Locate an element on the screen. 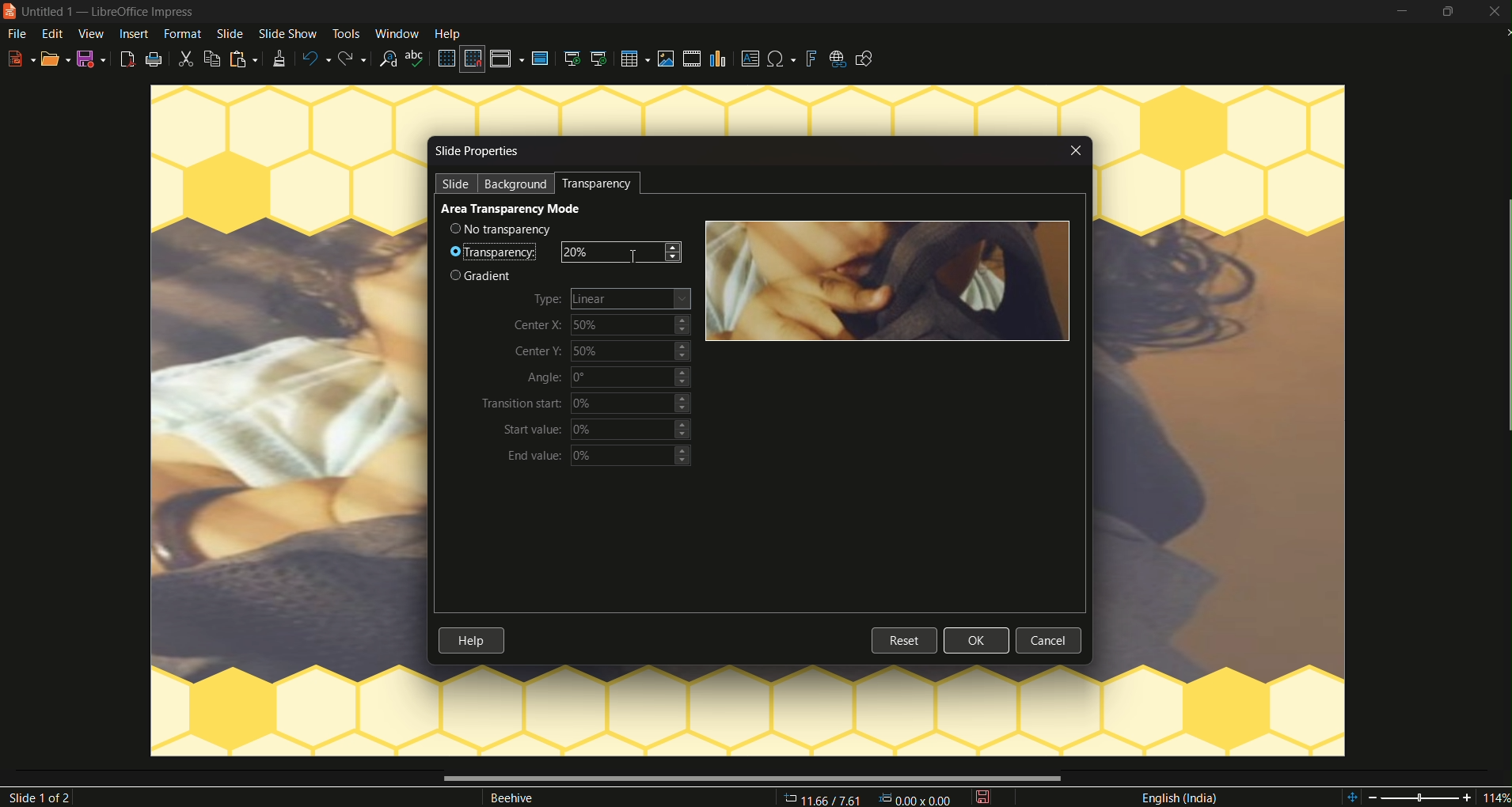 Image resolution: width=1512 pixels, height=807 pixels. edit is located at coordinates (54, 34).